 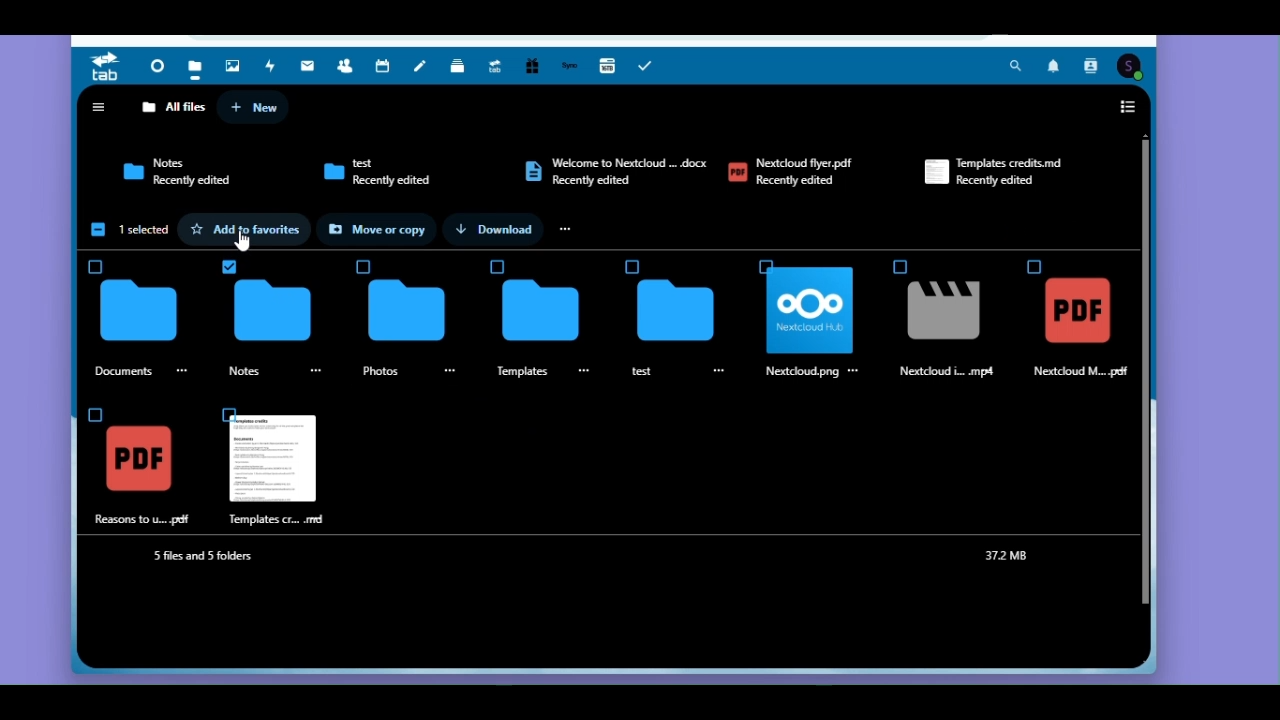 I want to click on Nextcloud M... pdf |, so click(x=1086, y=372).